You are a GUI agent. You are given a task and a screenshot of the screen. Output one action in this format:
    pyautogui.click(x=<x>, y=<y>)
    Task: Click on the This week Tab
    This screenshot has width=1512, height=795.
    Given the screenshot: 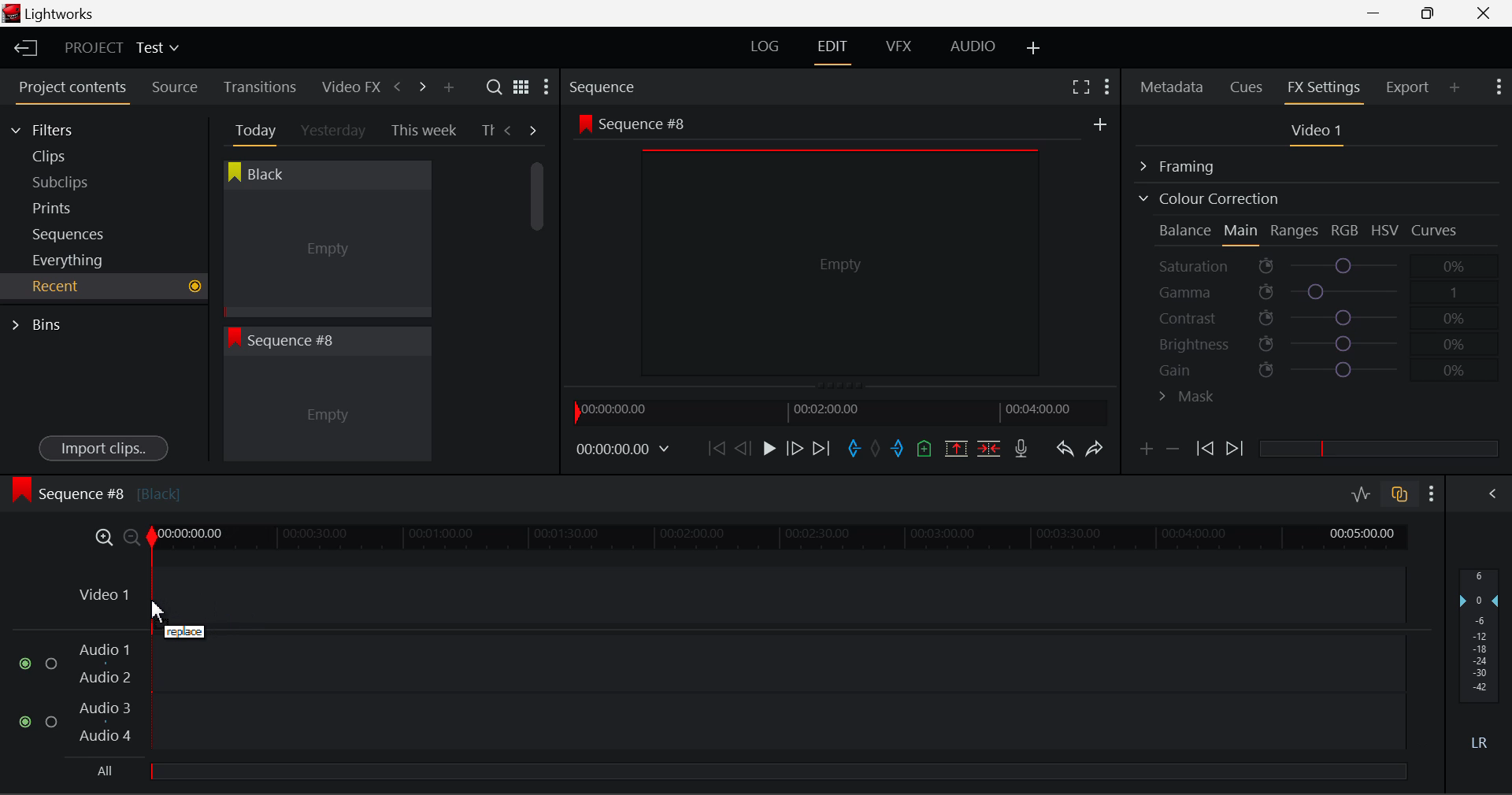 What is the action you would take?
    pyautogui.click(x=422, y=131)
    